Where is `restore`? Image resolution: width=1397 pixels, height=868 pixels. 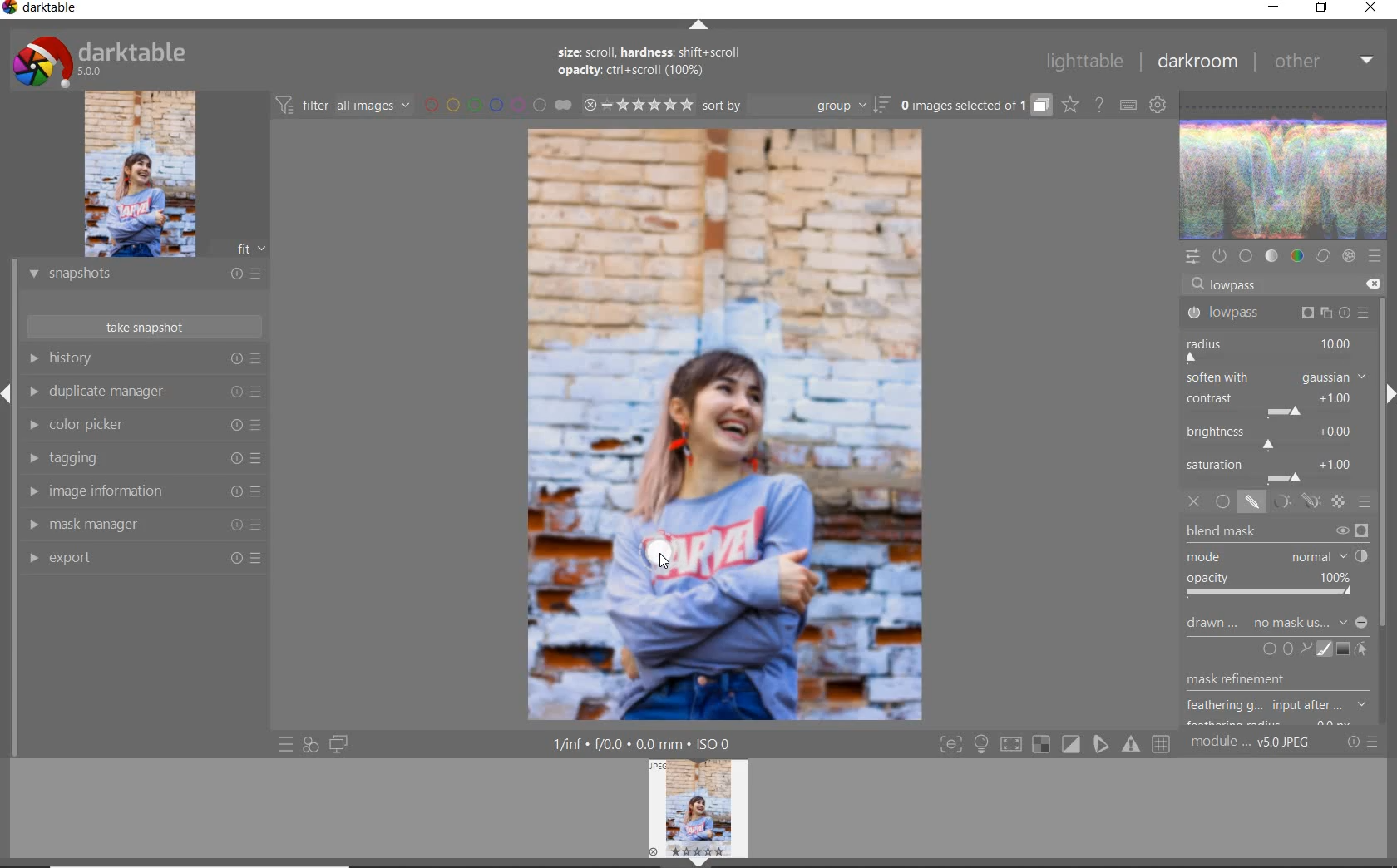
restore is located at coordinates (1322, 9).